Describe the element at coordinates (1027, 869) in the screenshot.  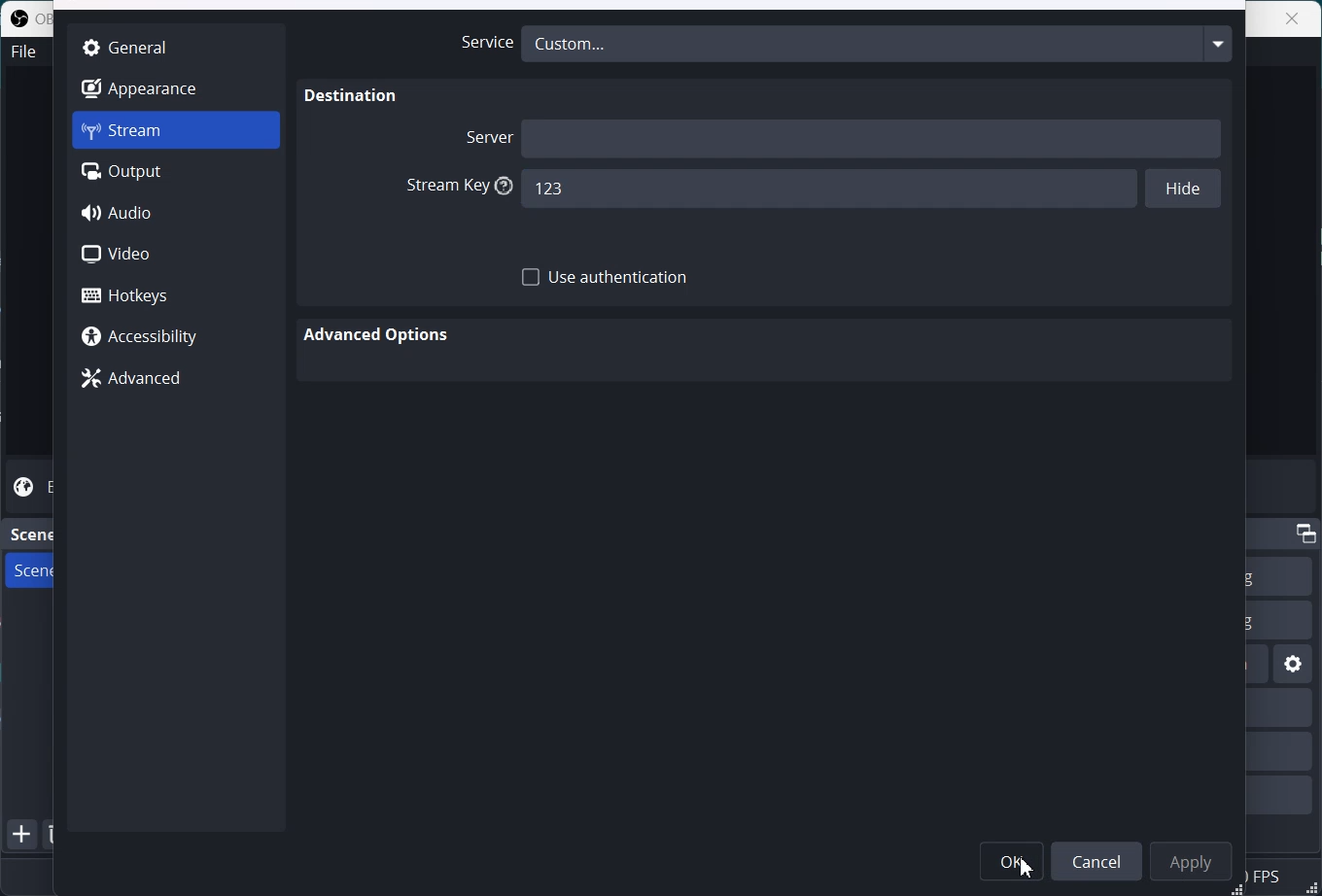
I see `Cursor` at that location.